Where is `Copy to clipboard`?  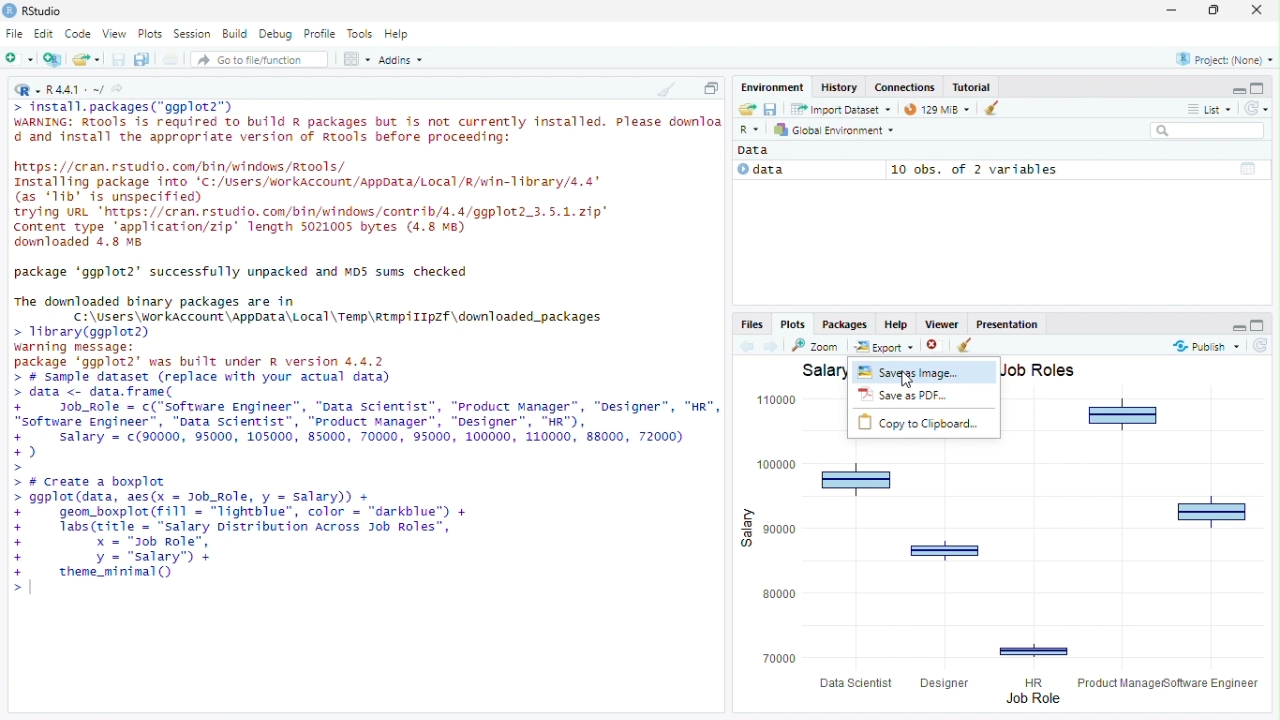 Copy to clipboard is located at coordinates (925, 425).